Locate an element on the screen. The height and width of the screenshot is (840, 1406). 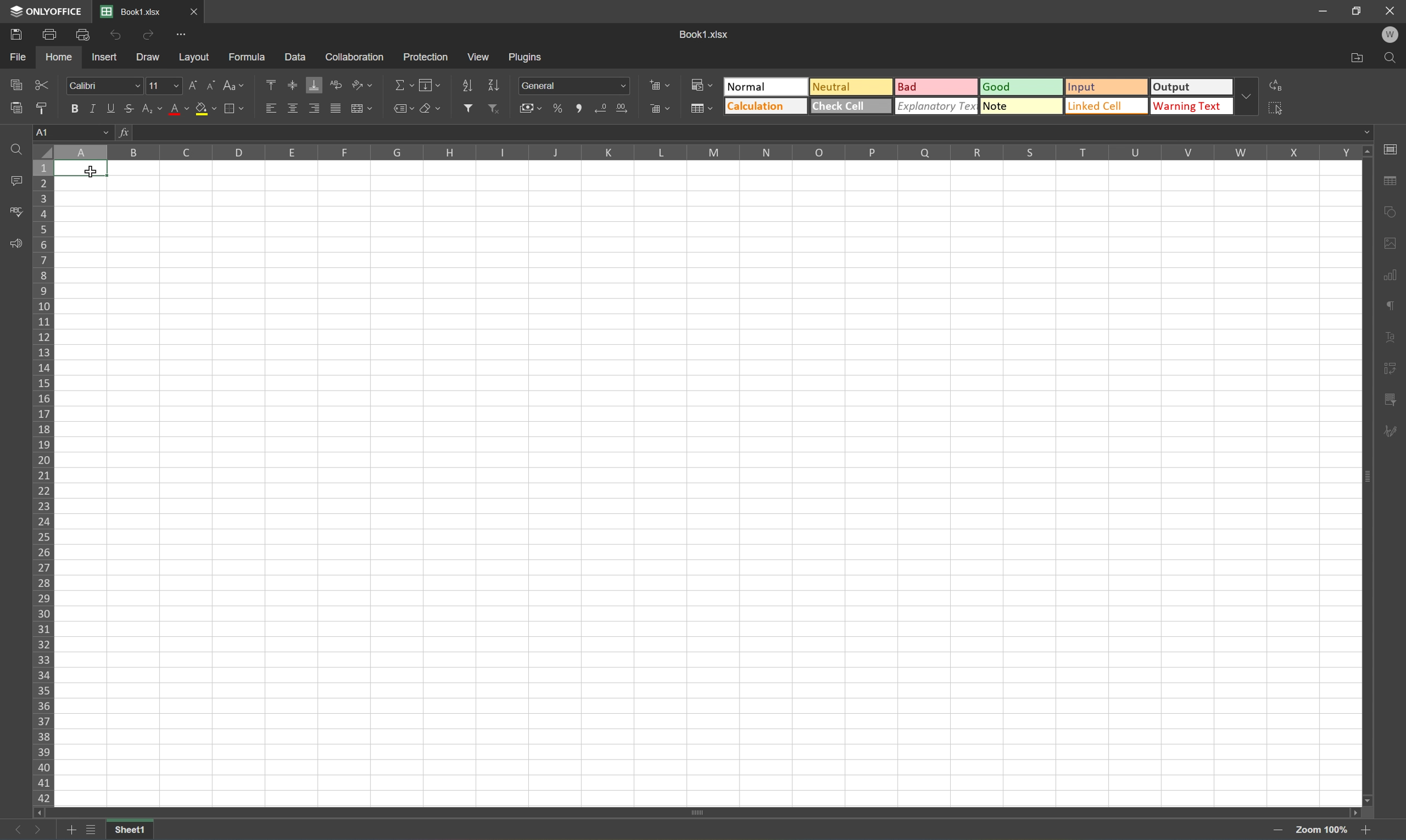
Insert is located at coordinates (104, 59).